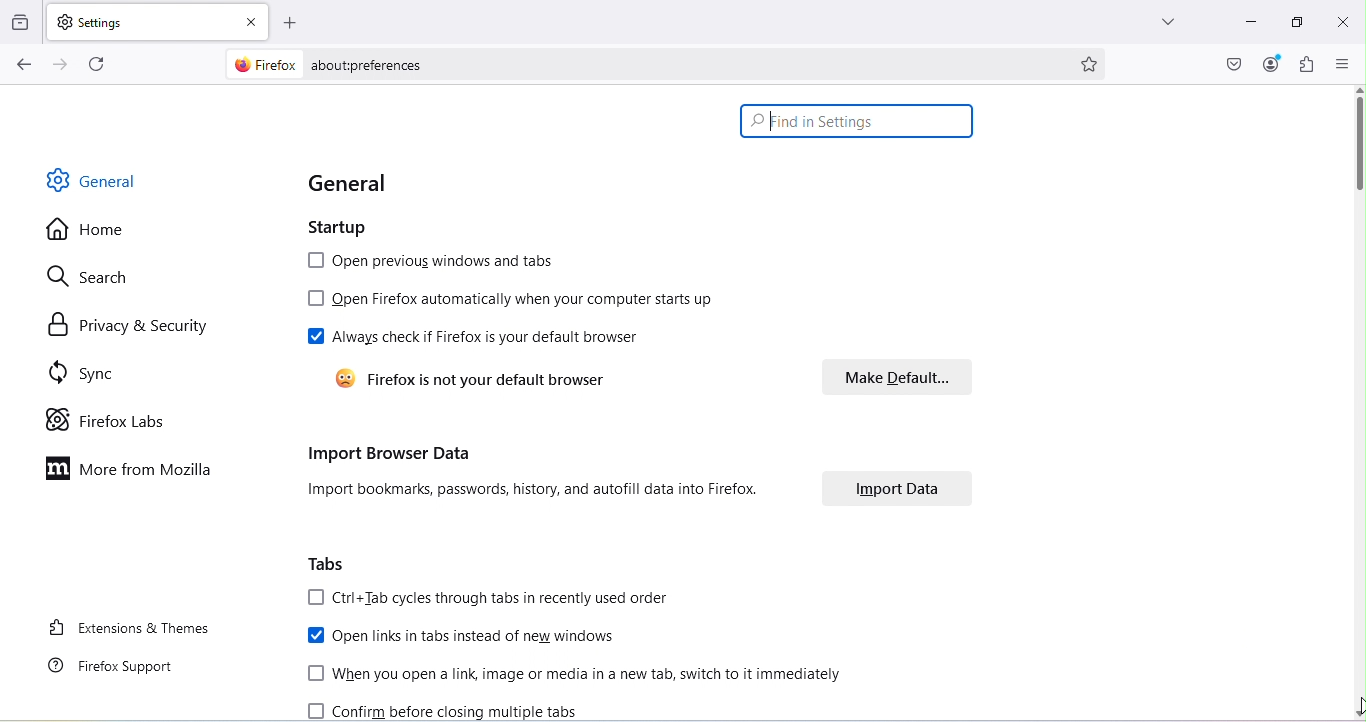  Describe the element at coordinates (99, 183) in the screenshot. I see `General` at that location.